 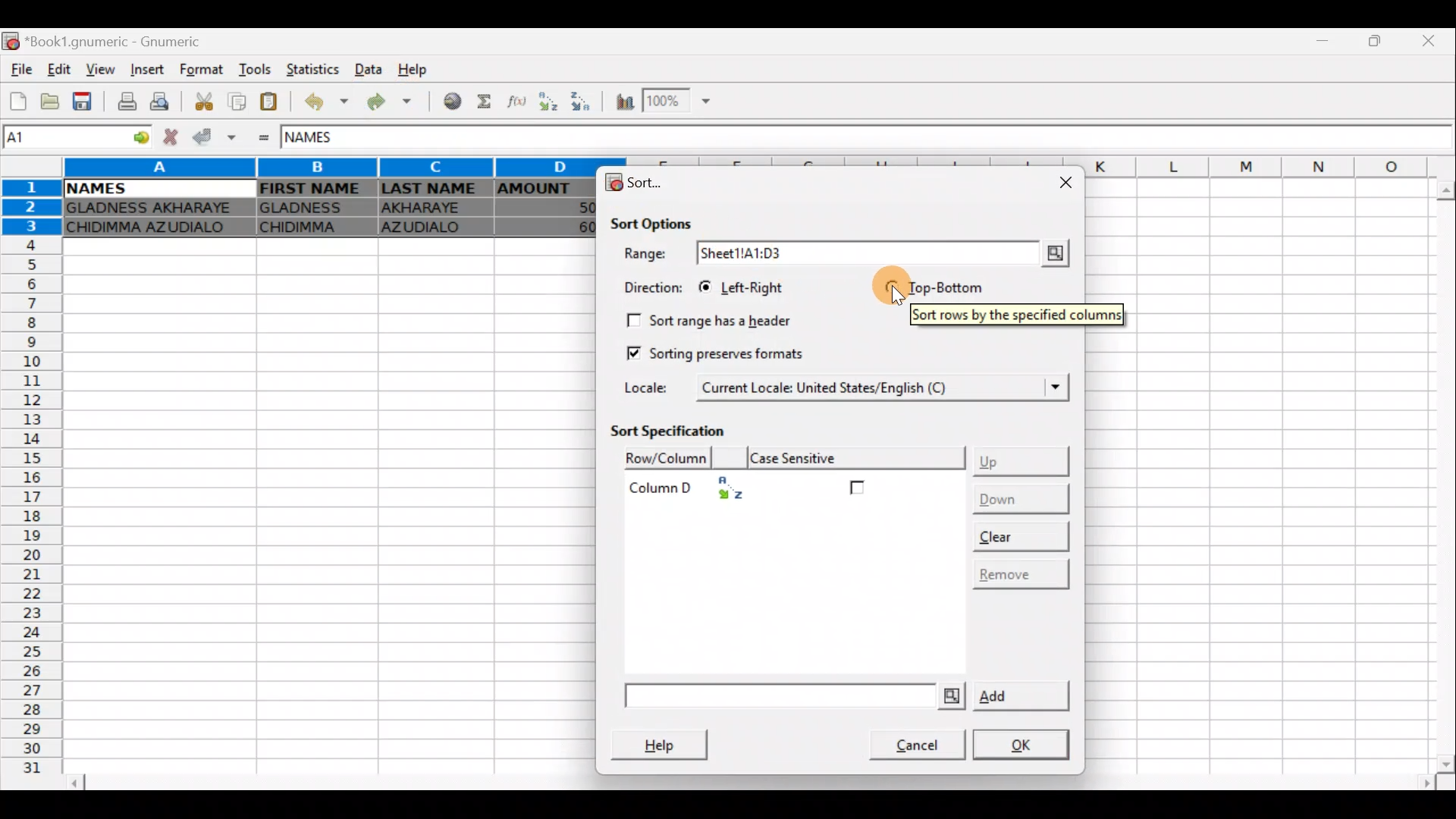 What do you see at coordinates (268, 103) in the screenshot?
I see `Paste clipboard` at bounding box center [268, 103].